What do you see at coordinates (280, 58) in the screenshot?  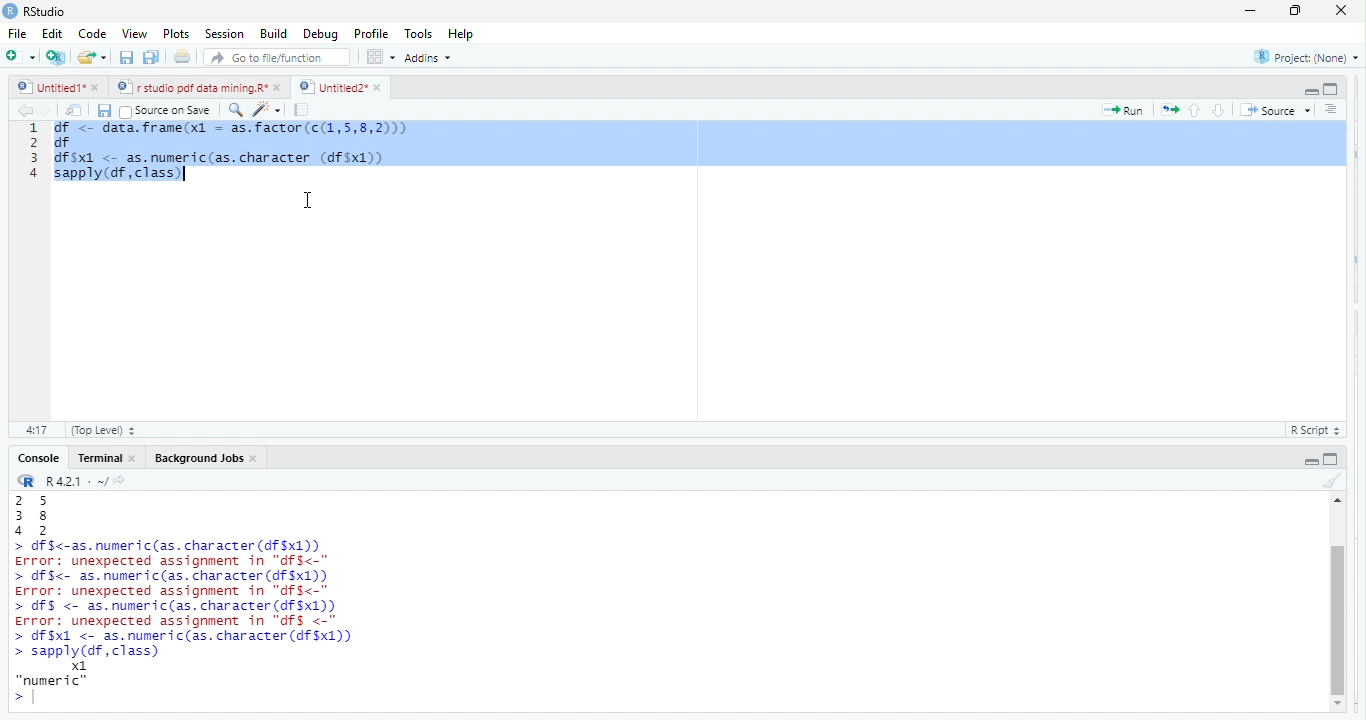 I see ` Goto fileffunction ` at bounding box center [280, 58].